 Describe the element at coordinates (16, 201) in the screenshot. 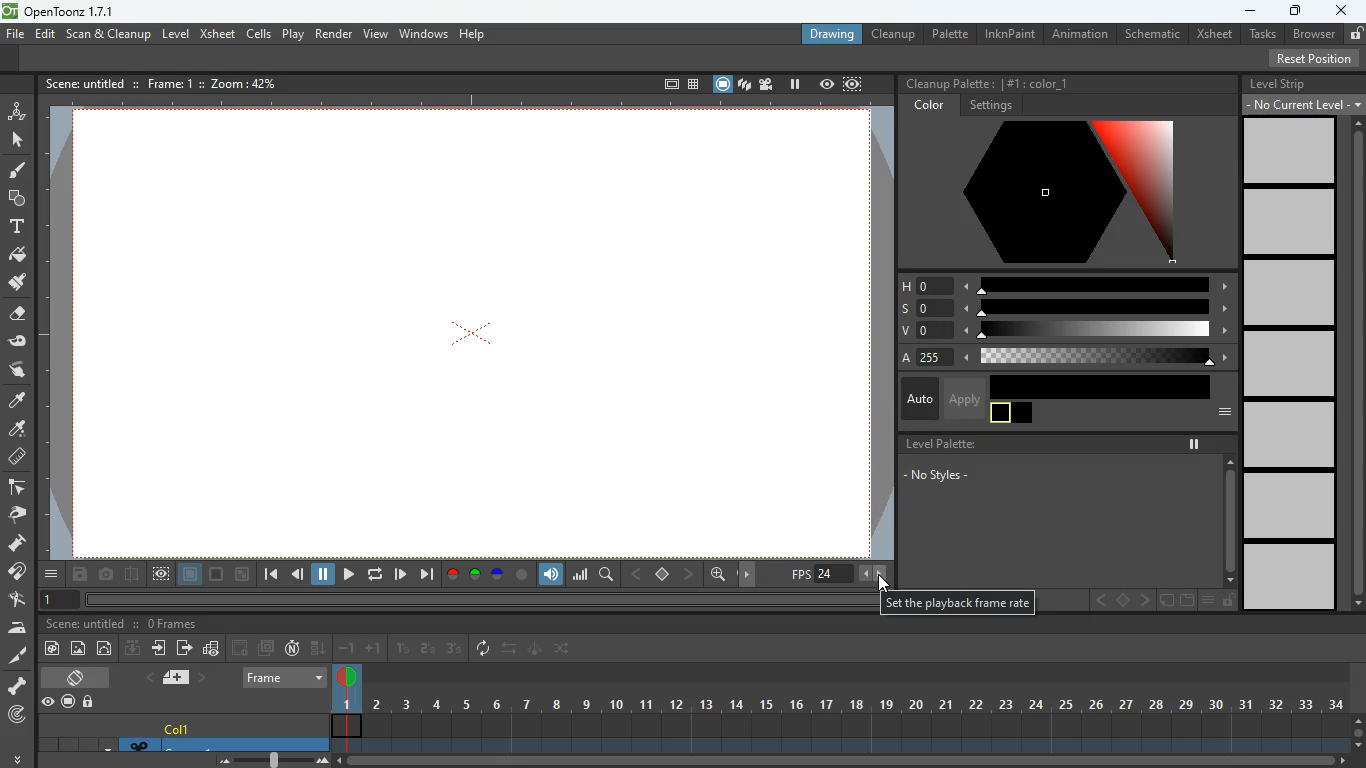

I see `shapes` at that location.